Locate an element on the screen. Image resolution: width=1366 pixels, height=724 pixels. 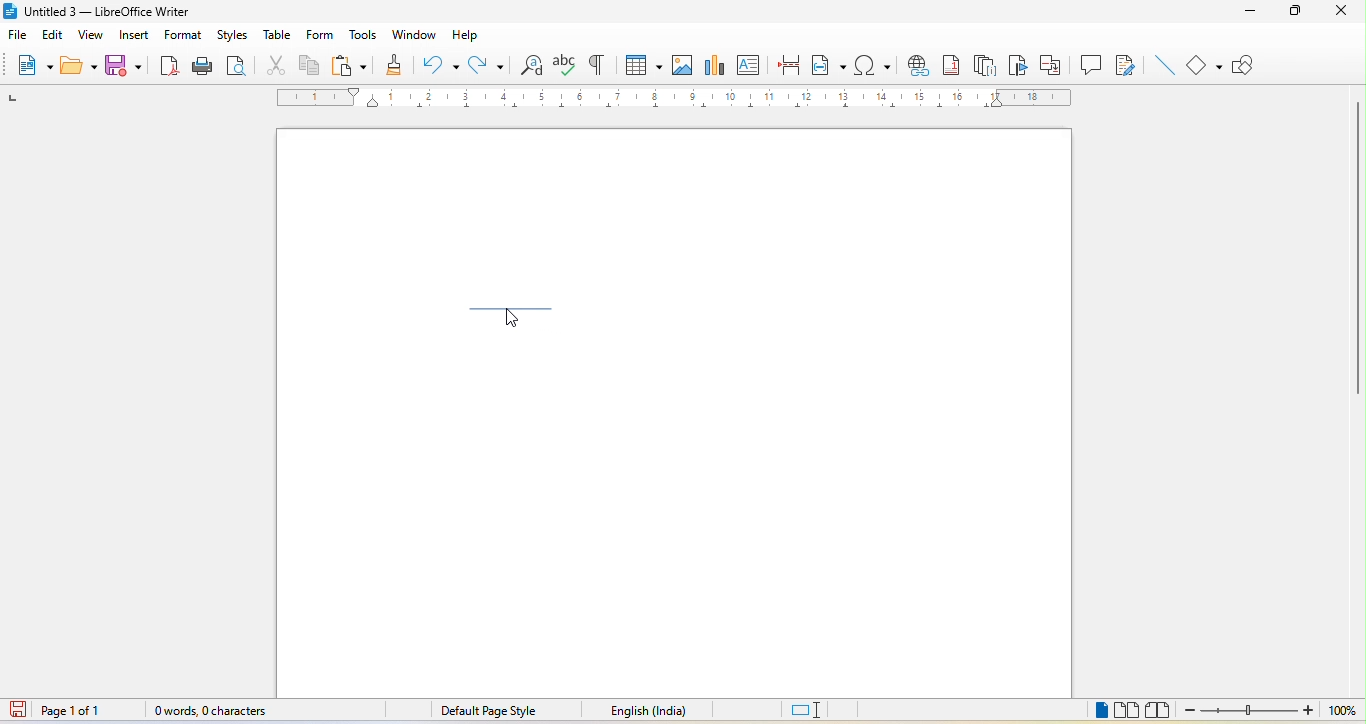
cross reference is located at coordinates (1051, 65).